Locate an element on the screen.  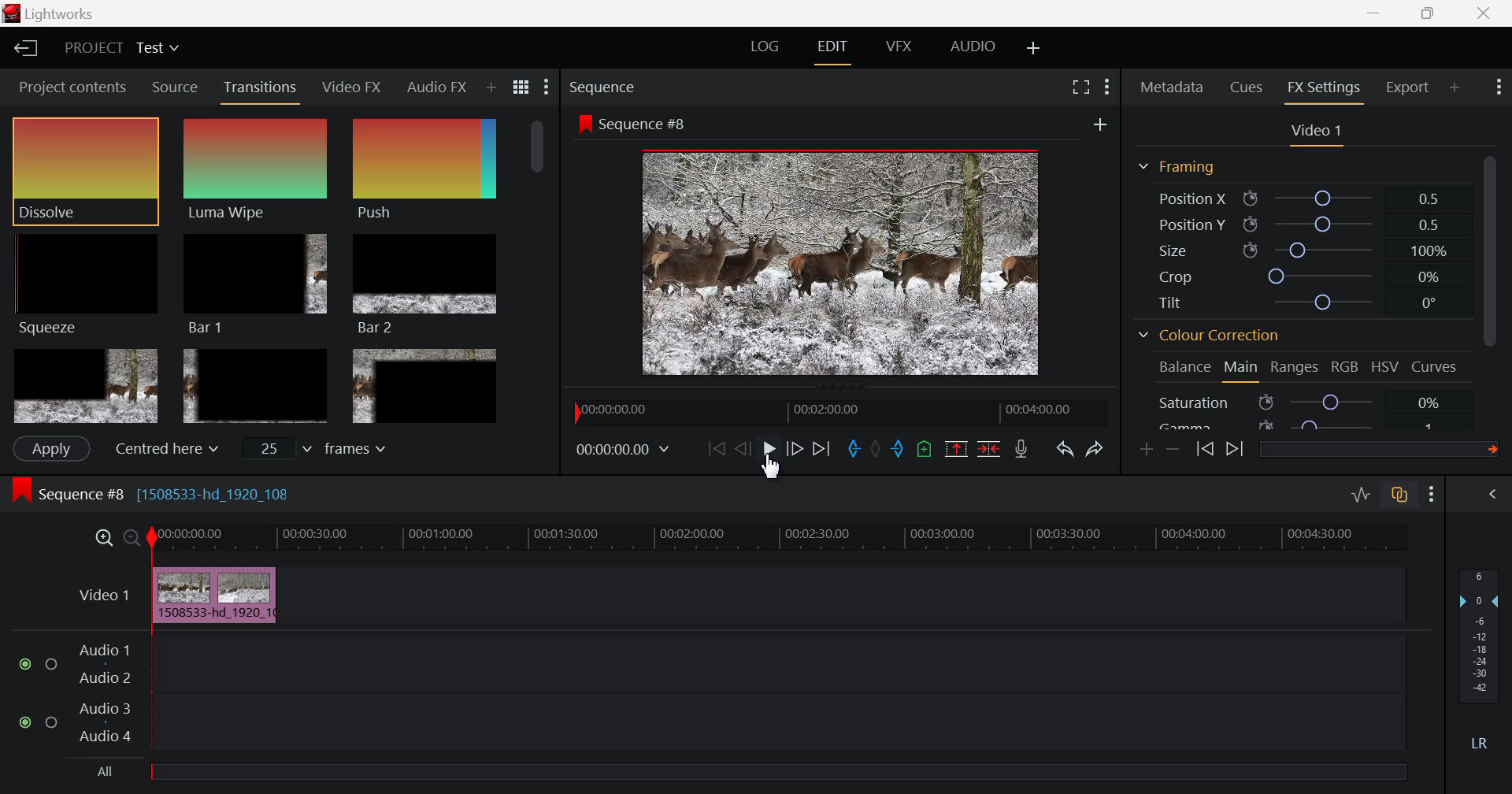
Toggle auto track sync is located at coordinates (1400, 495).